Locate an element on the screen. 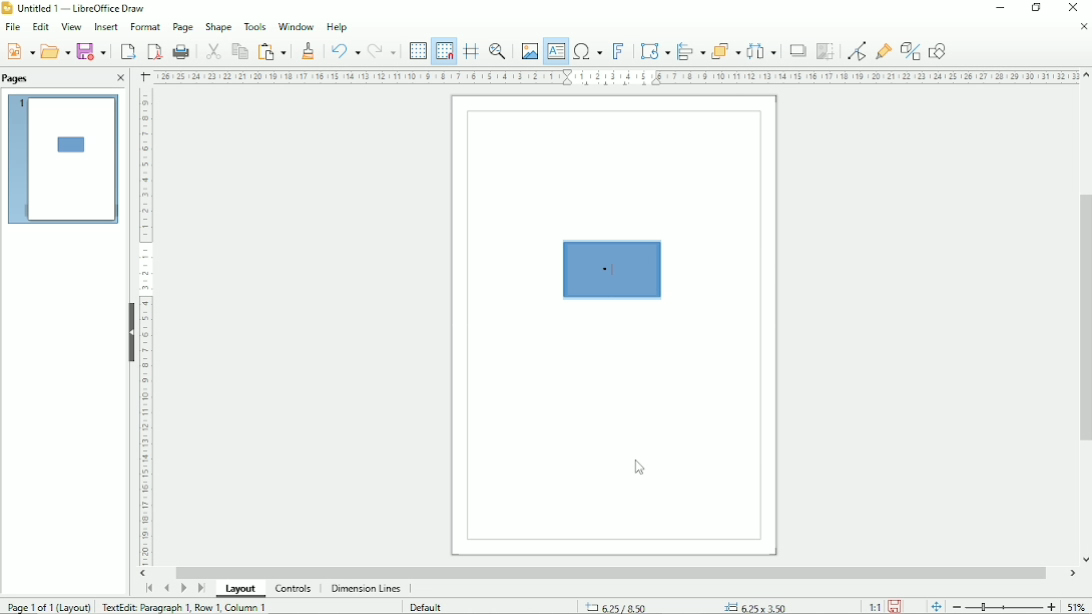 This screenshot has height=614, width=1092. Shadow is located at coordinates (797, 51).